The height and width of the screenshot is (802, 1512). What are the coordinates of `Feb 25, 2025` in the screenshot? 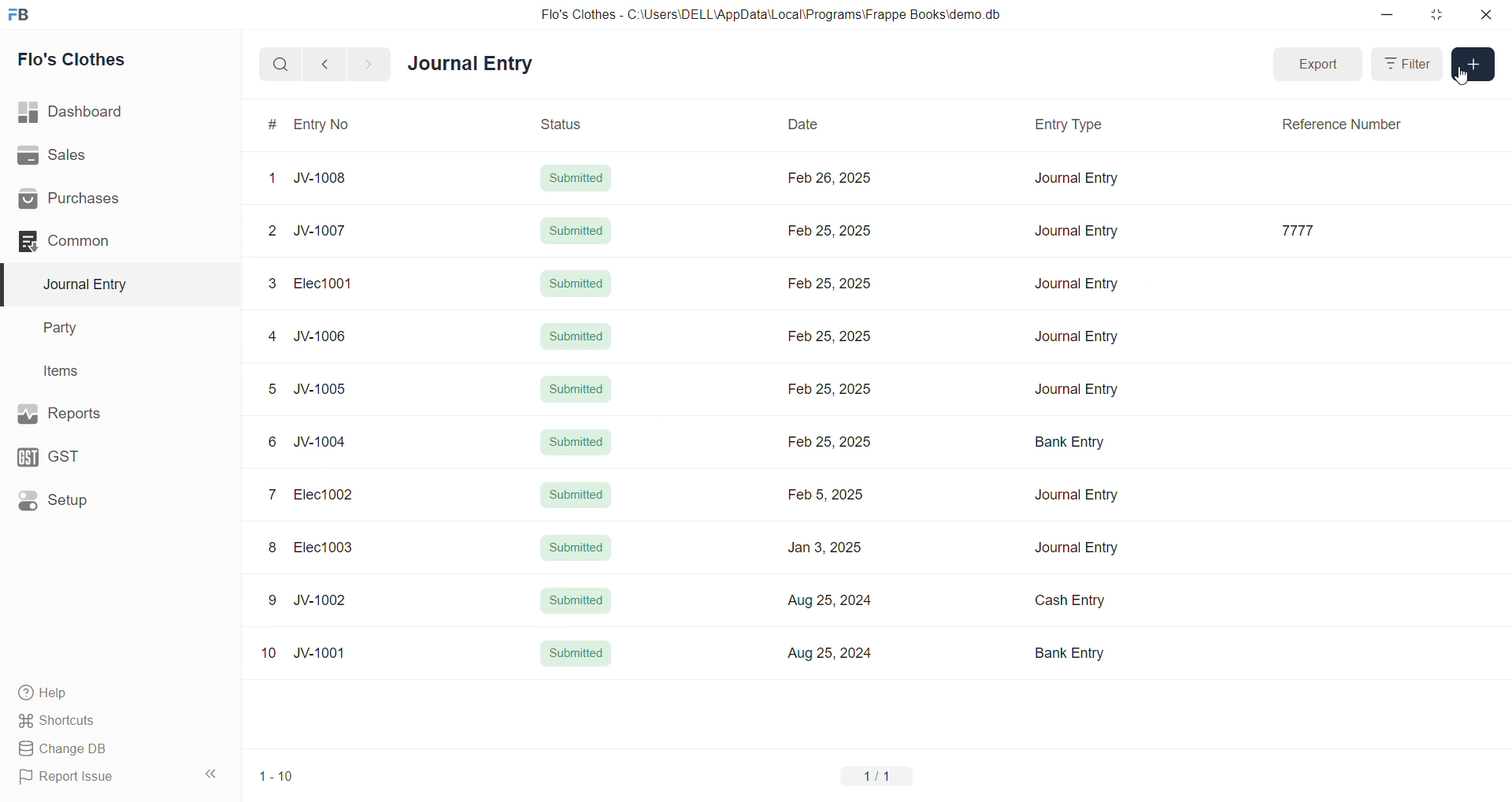 It's located at (837, 336).